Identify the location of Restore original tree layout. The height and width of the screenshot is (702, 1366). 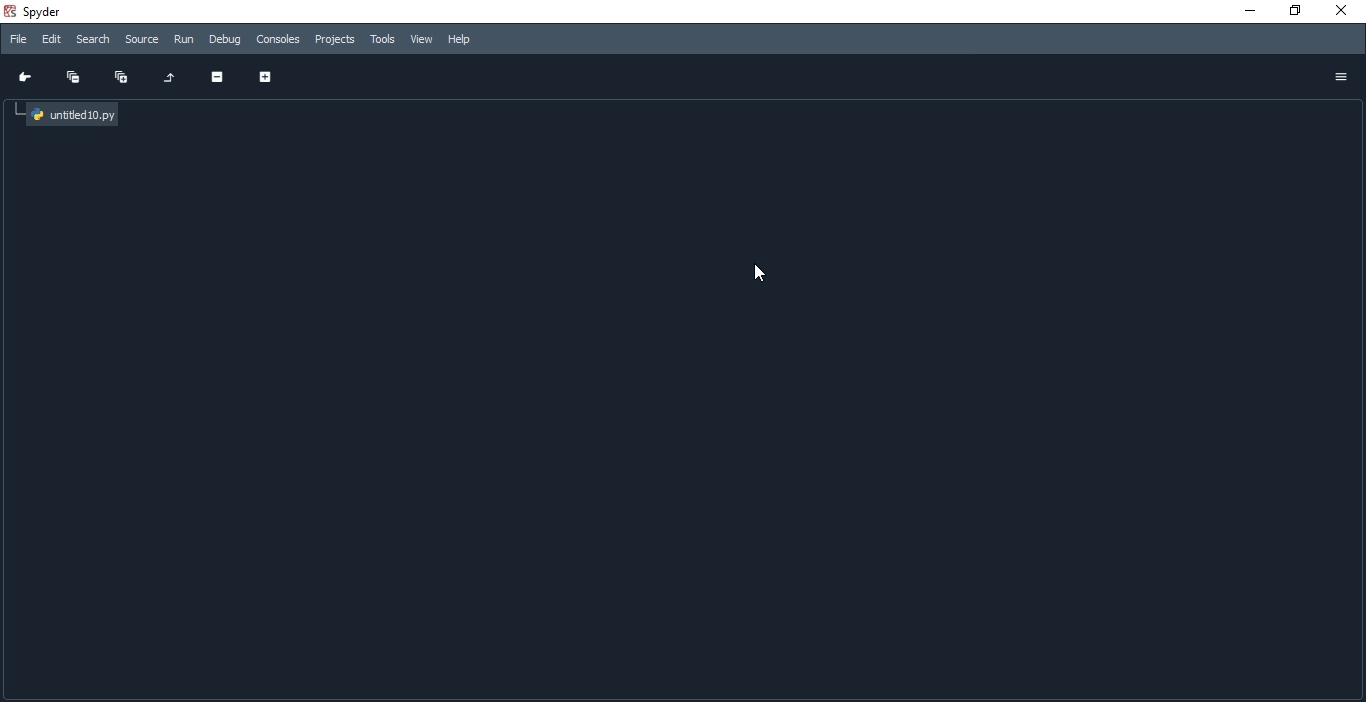
(171, 75).